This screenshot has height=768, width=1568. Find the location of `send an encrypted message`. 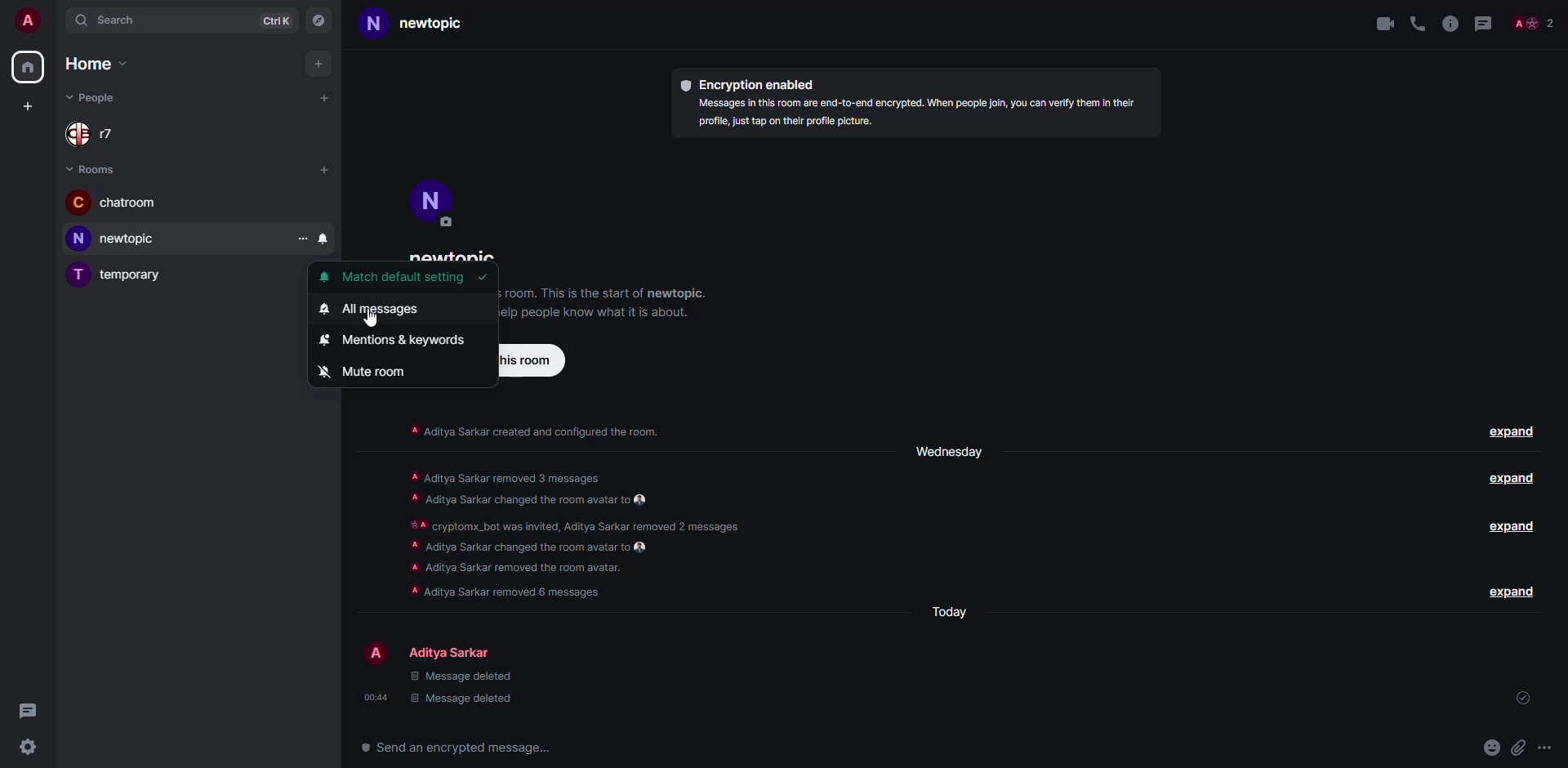

send an encrypted message is located at coordinates (463, 748).